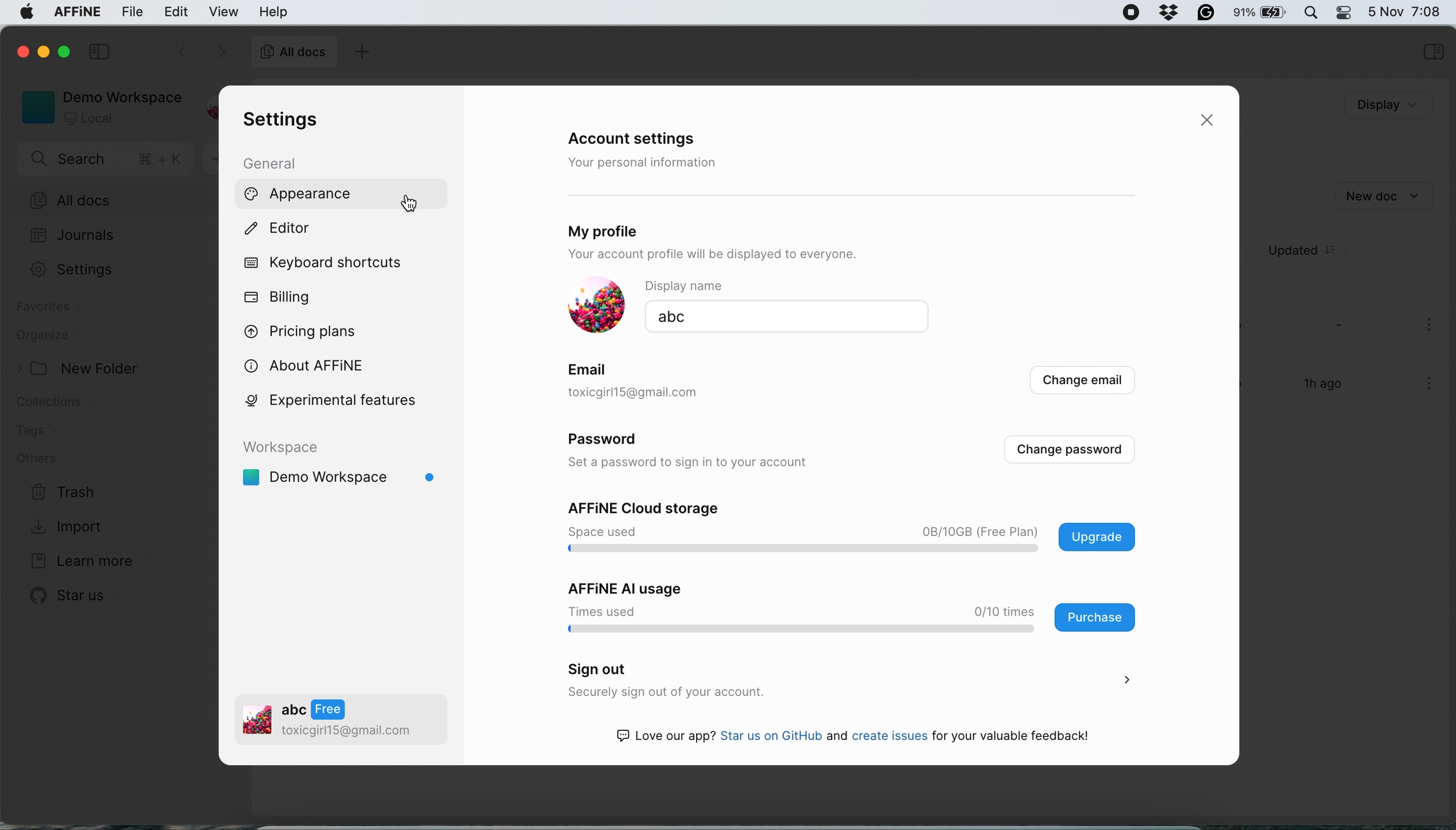 The height and width of the screenshot is (830, 1456). Describe the element at coordinates (612, 438) in the screenshot. I see `password` at that location.